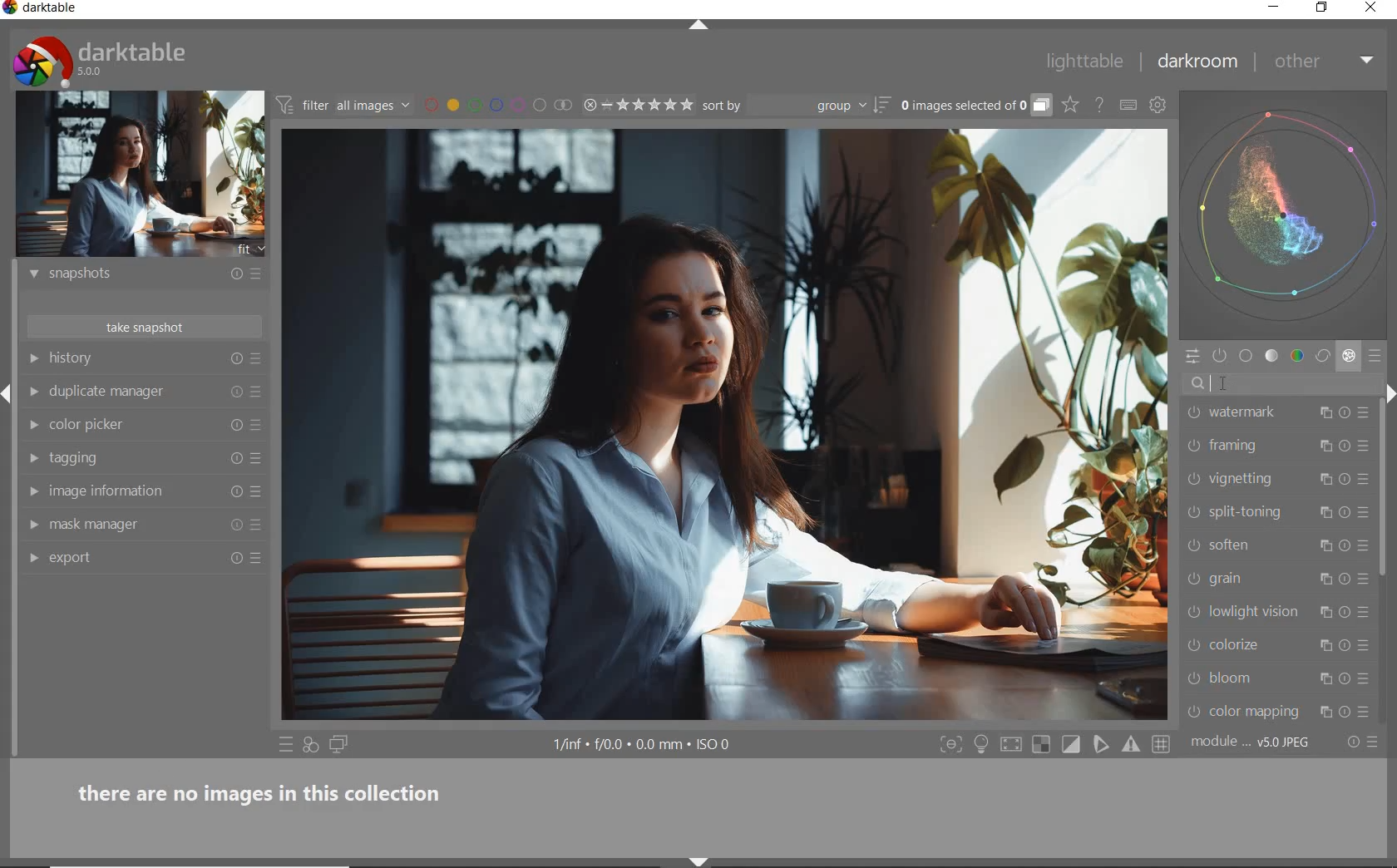 The image size is (1397, 868). Describe the element at coordinates (795, 106) in the screenshot. I see `sort` at that location.